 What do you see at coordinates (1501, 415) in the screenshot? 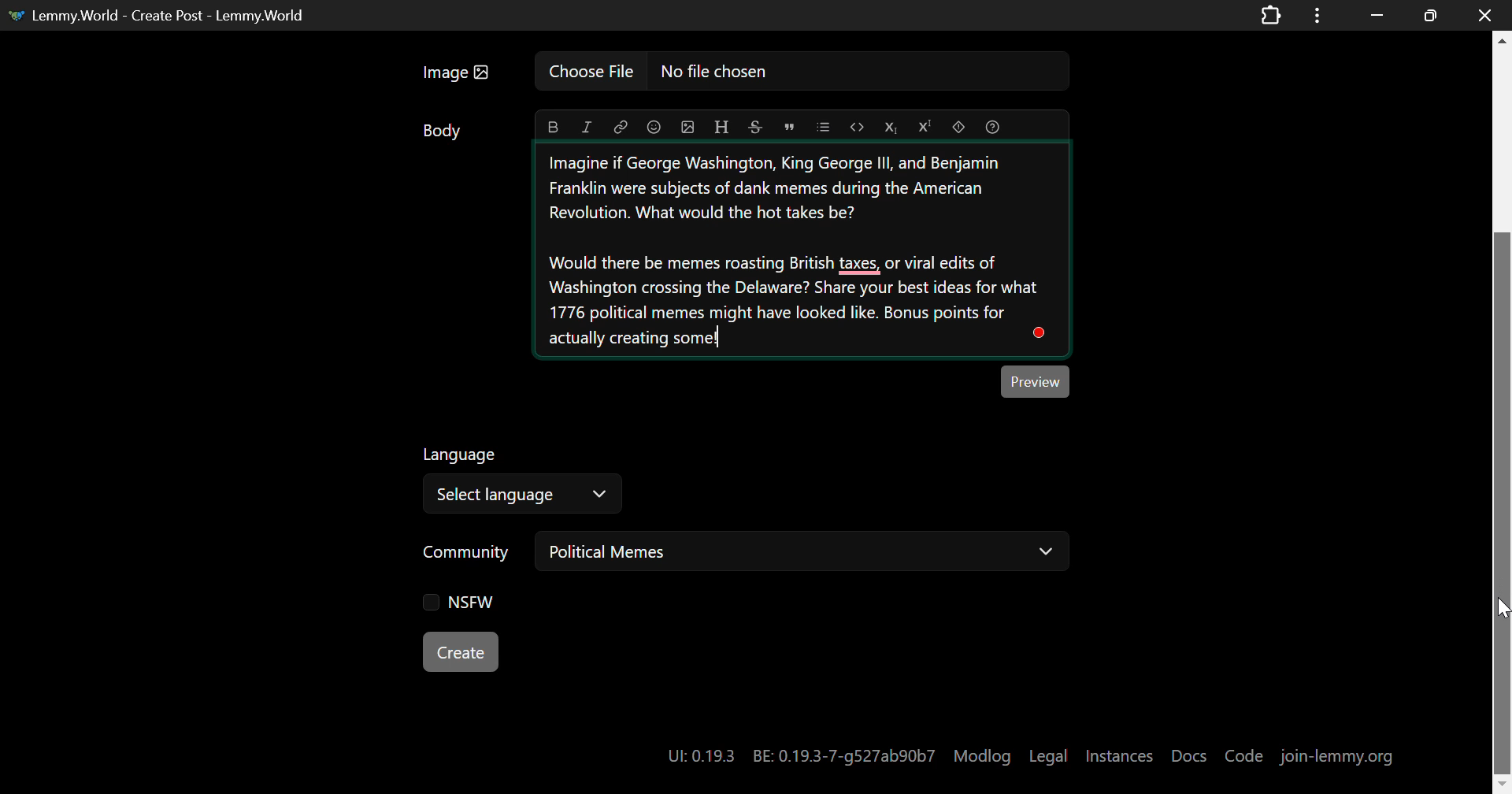
I see `Vertical Scroll Bar` at bounding box center [1501, 415].